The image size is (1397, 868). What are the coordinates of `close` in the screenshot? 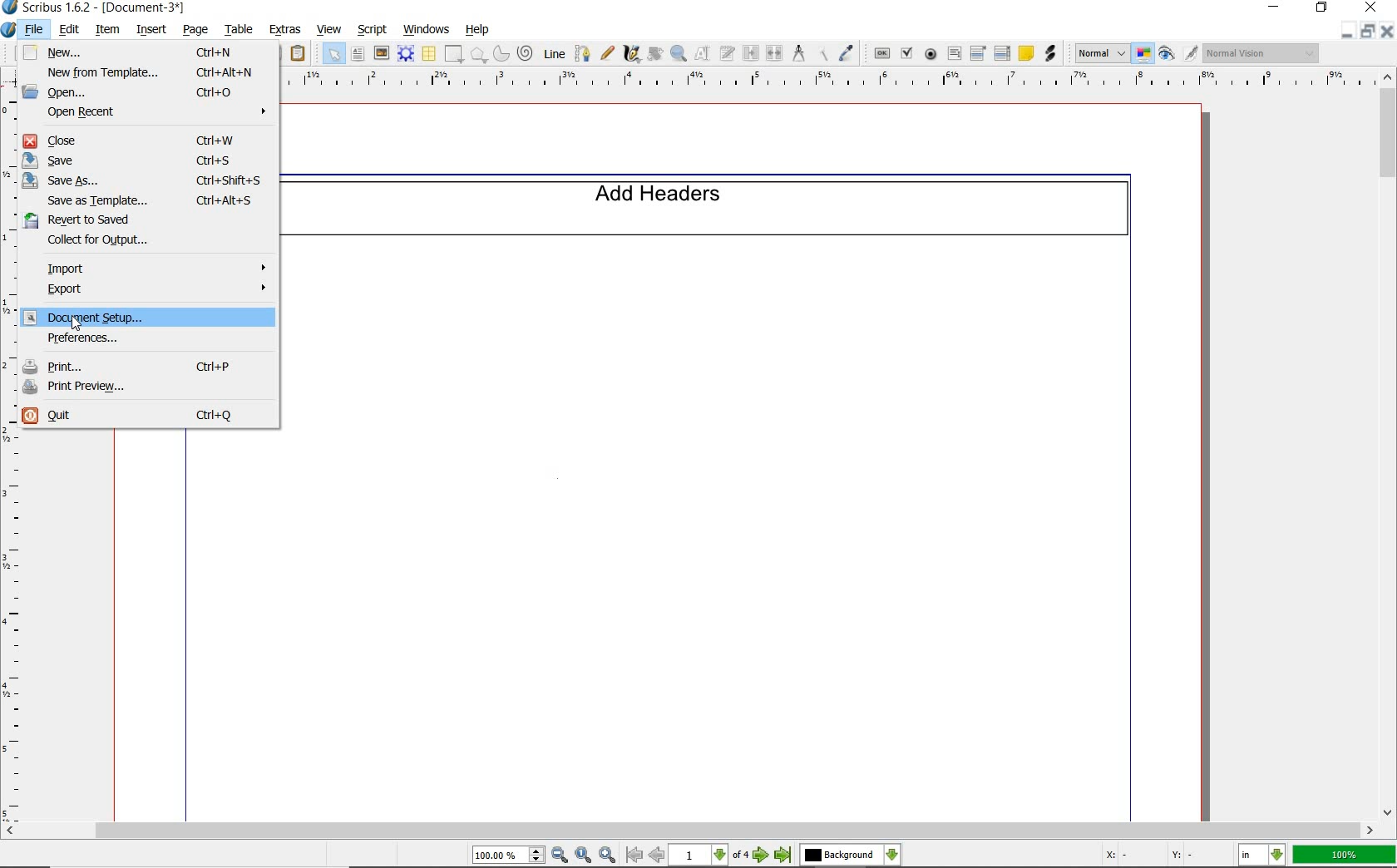 It's located at (1389, 31).